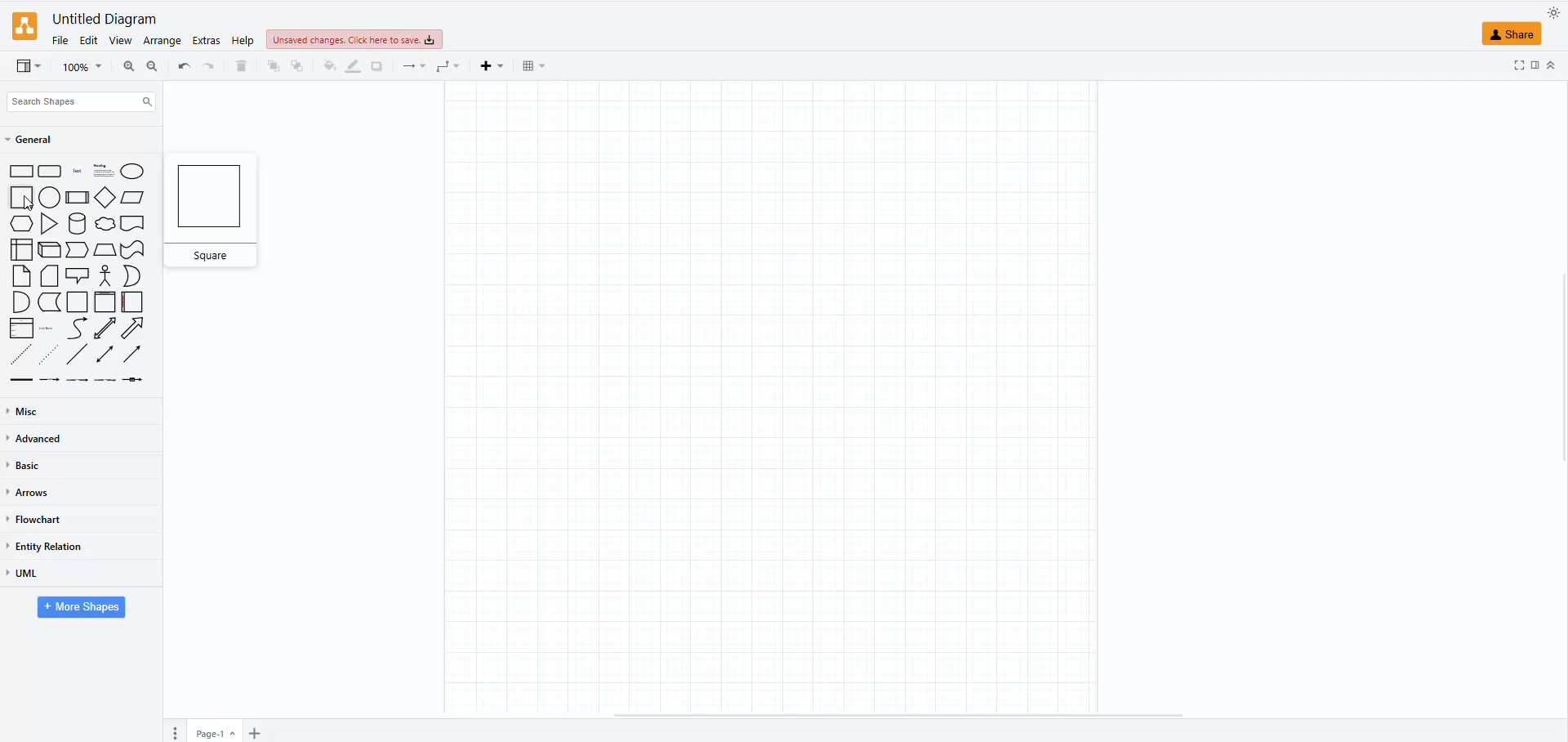  I want to click on triangle, so click(51, 226).